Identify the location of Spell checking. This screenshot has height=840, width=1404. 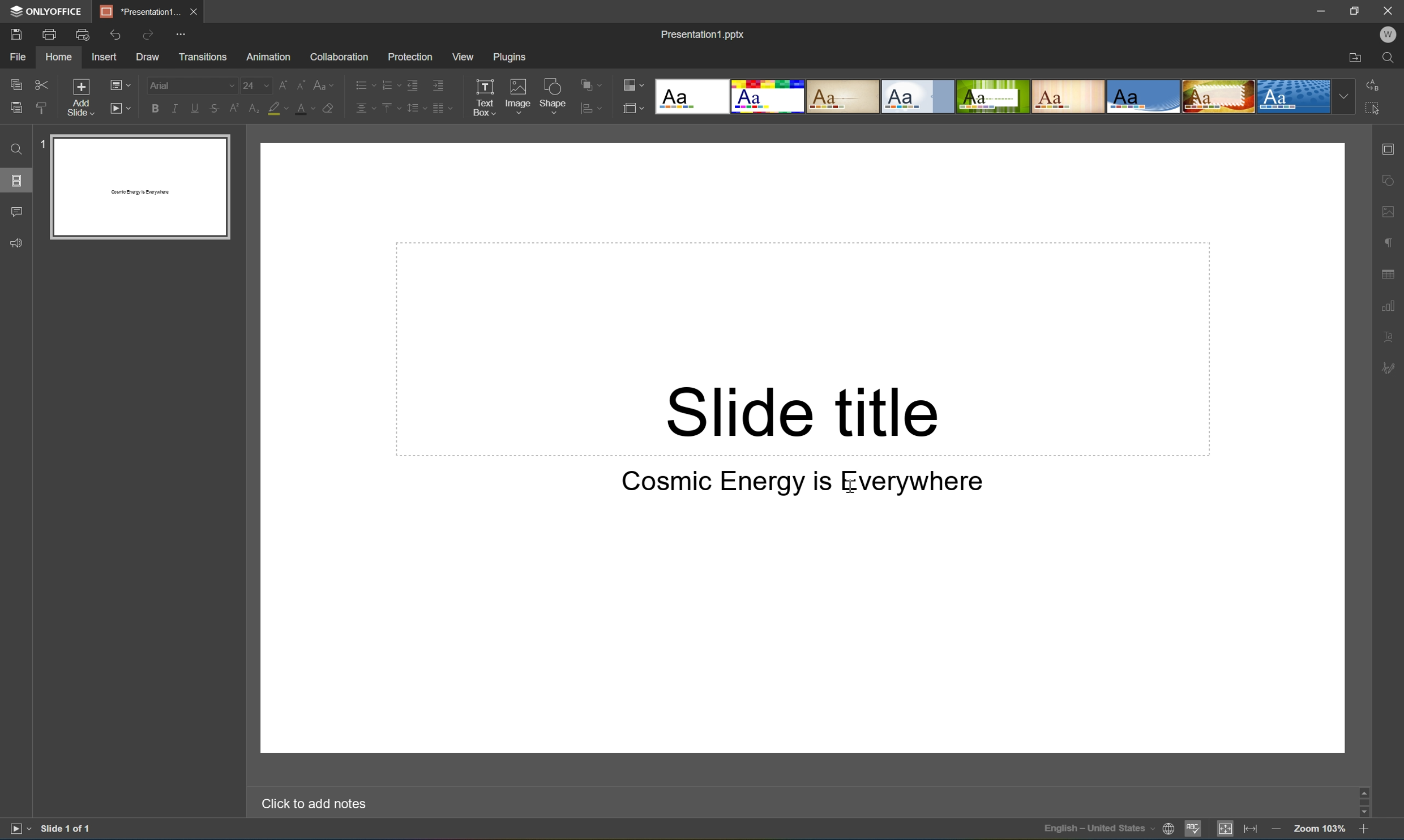
(1195, 831).